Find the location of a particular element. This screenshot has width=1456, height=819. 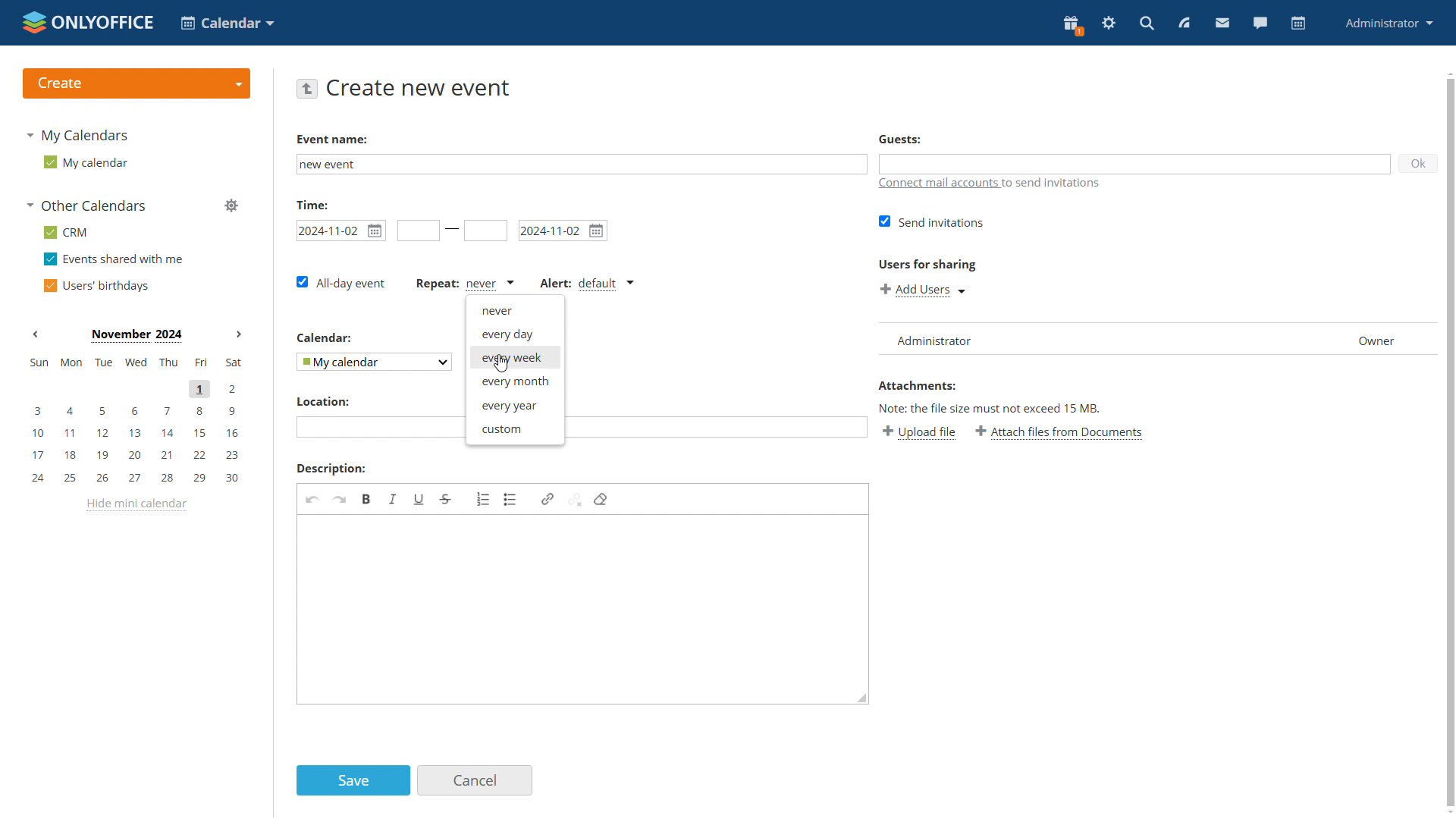

manage is located at coordinates (231, 206).